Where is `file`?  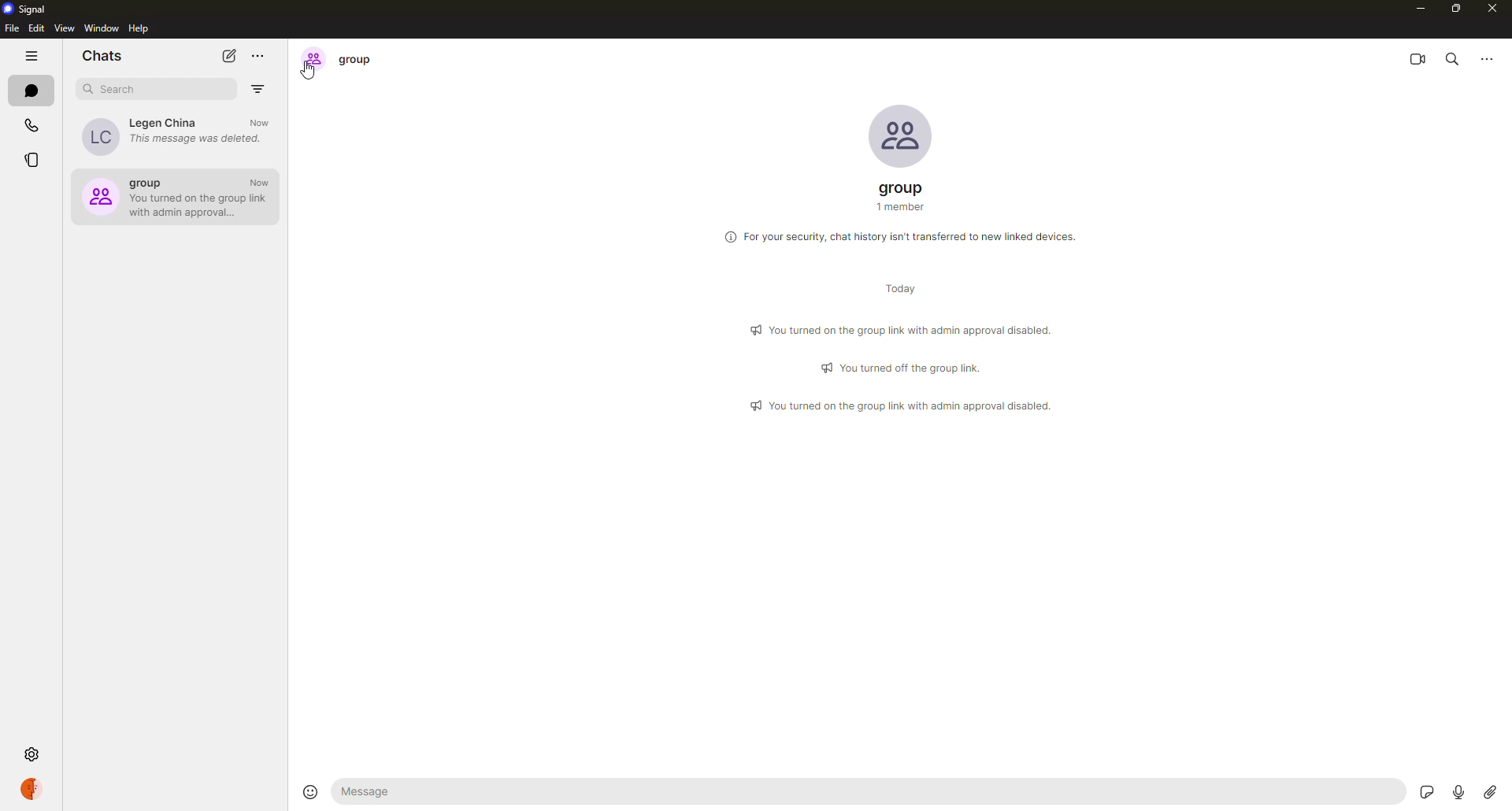
file is located at coordinates (10, 28).